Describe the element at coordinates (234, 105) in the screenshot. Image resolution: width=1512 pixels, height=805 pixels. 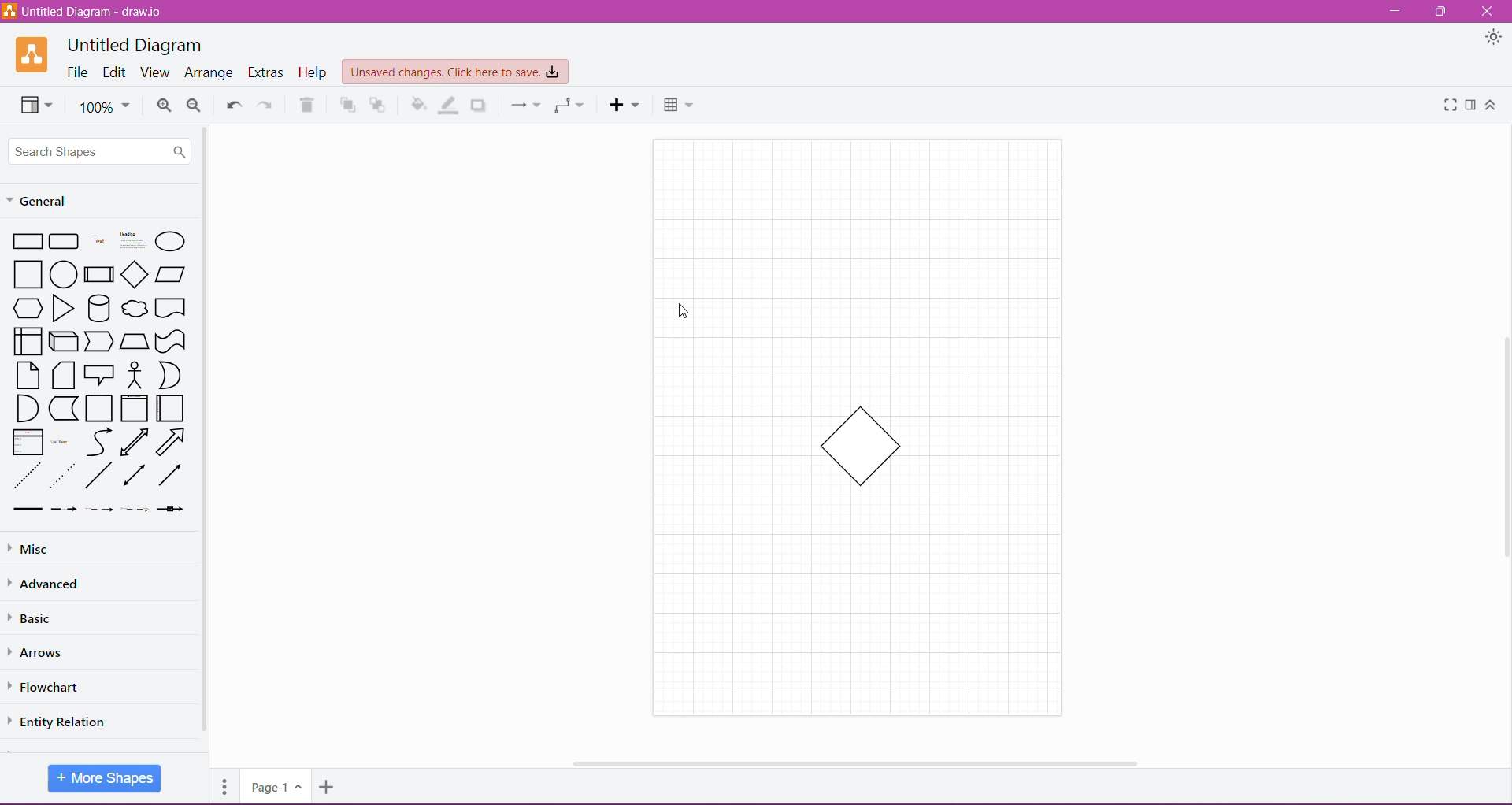
I see `Undo` at that location.